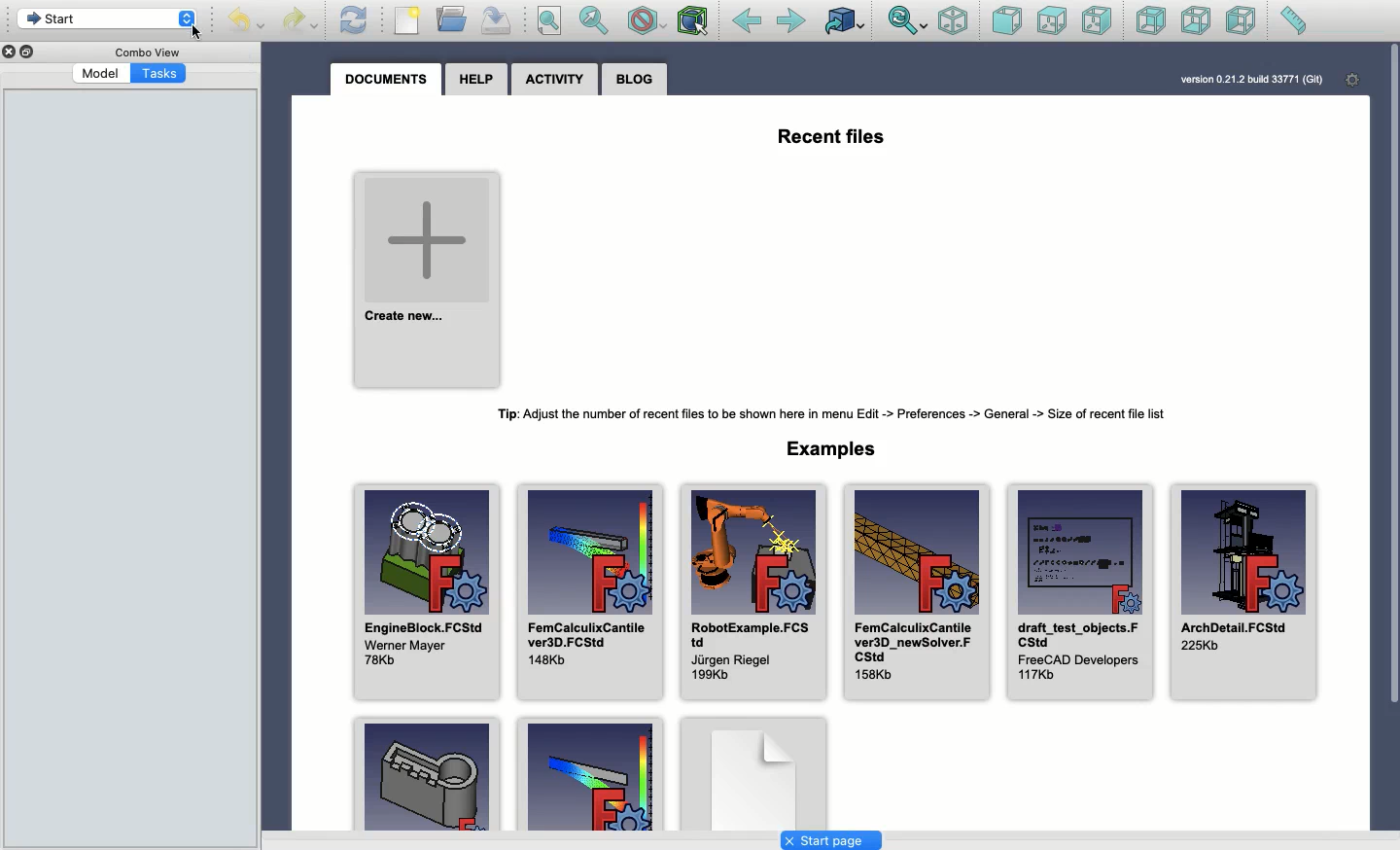 This screenshot has width=1400, height=850. I want to click on Tip: Adjust the number of recent files to be shown here in menu Edit -> Preferences -> General -> Size of recent file list, so click(837, 410).